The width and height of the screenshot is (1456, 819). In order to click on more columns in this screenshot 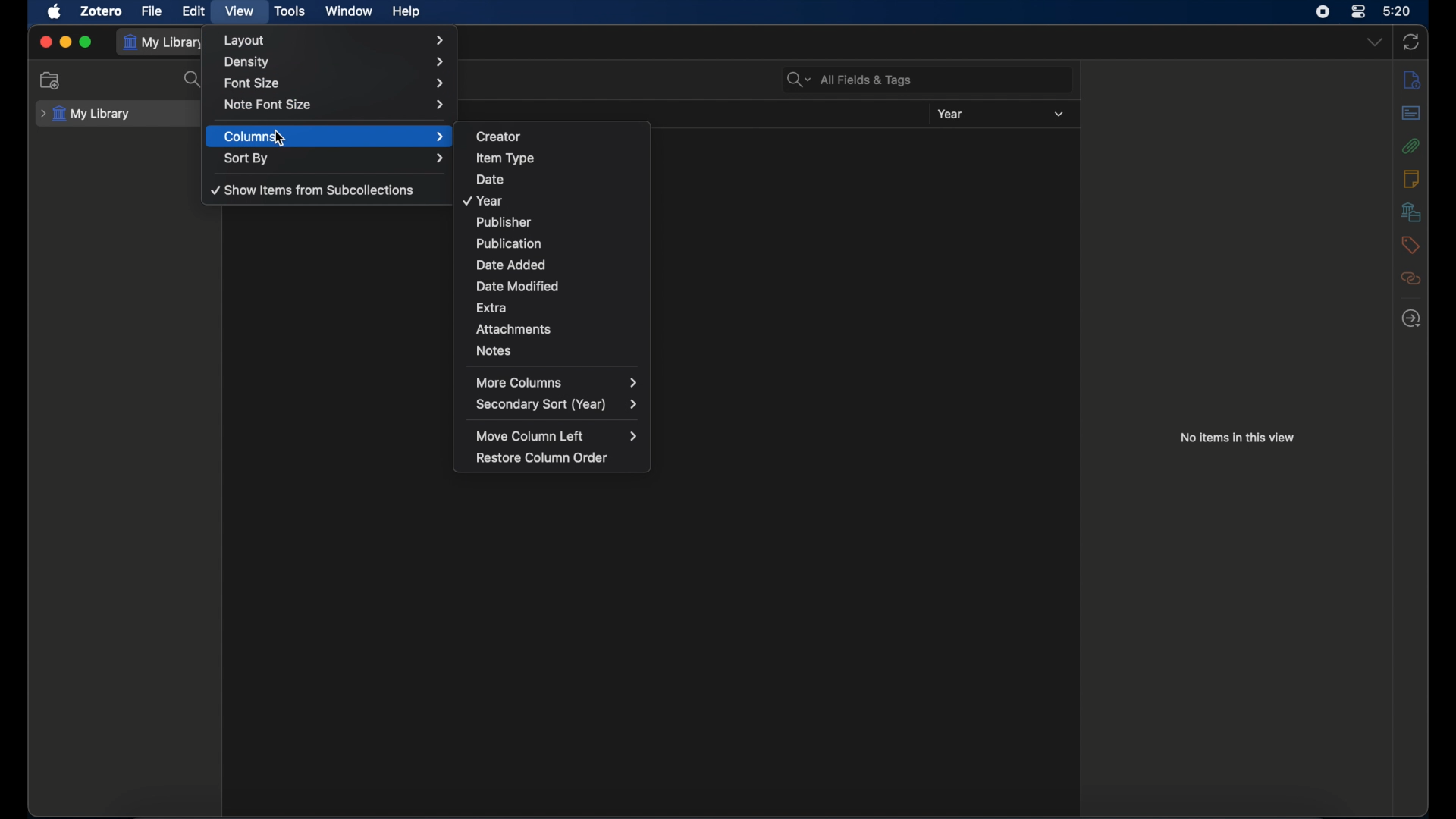, I will do `click(560, 381)`.